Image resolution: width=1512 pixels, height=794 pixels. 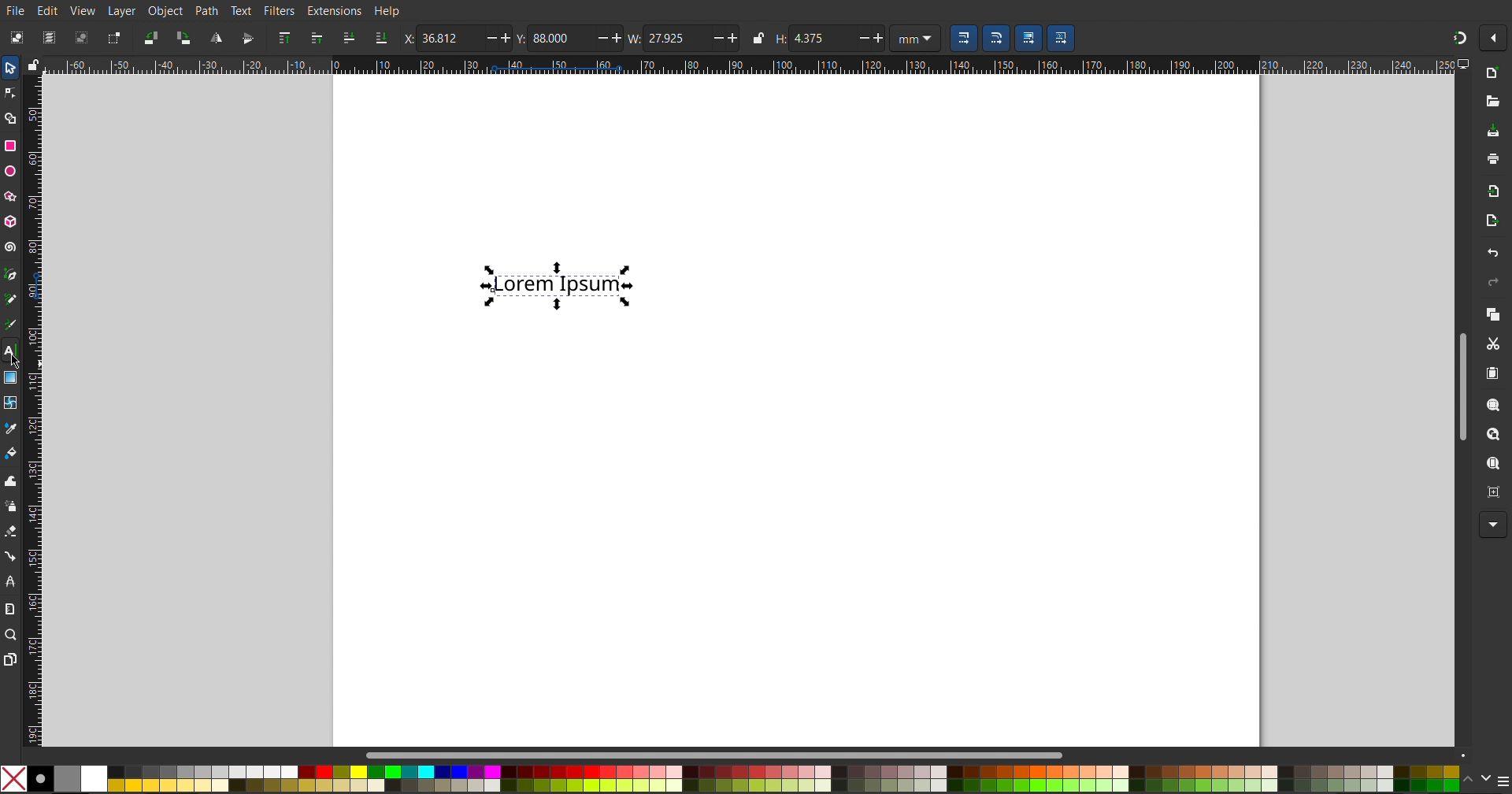 I want to click on Move gradients along with the objects, so click(x=1028, y=39).